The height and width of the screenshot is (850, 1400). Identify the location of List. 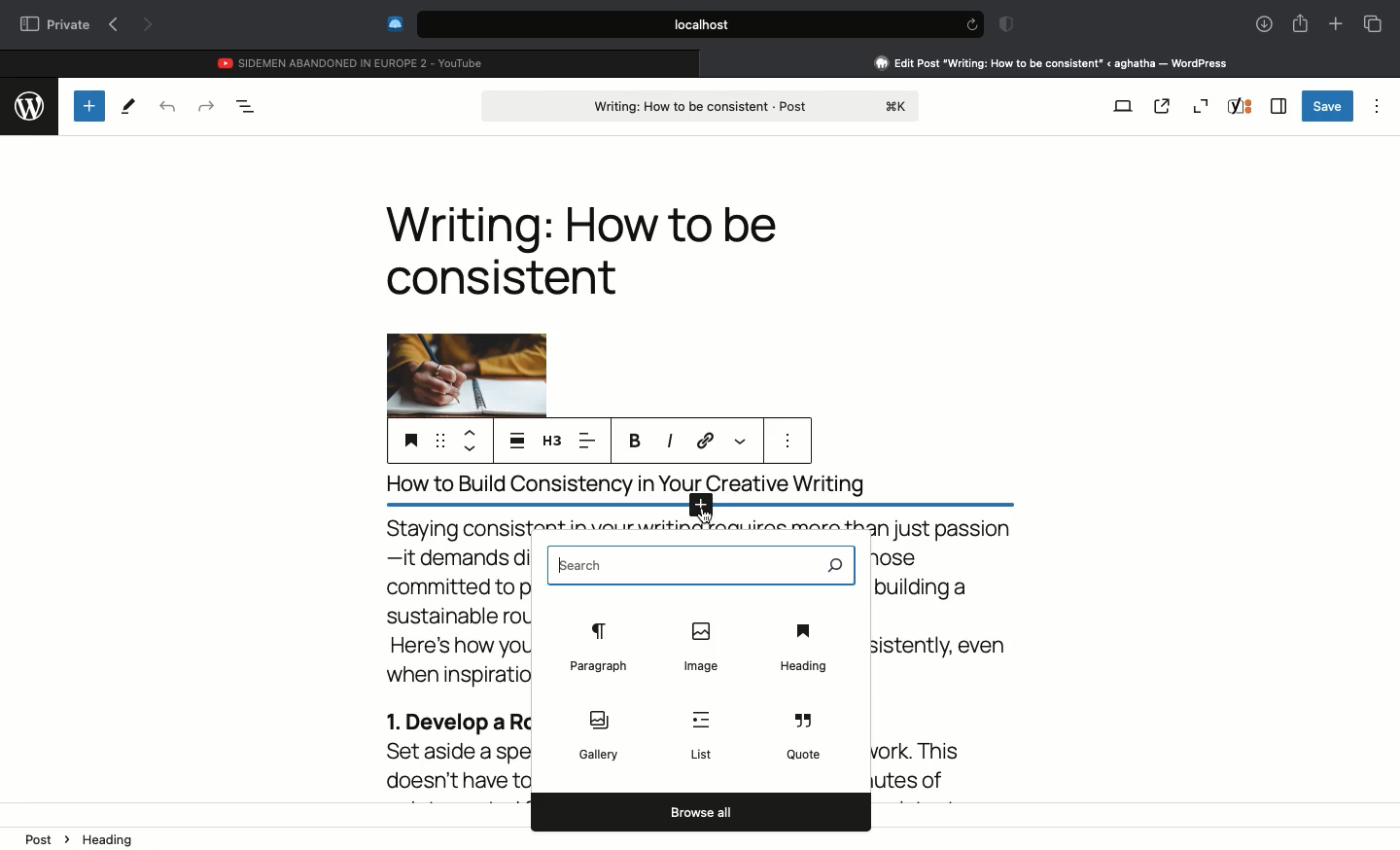
(706, 735).